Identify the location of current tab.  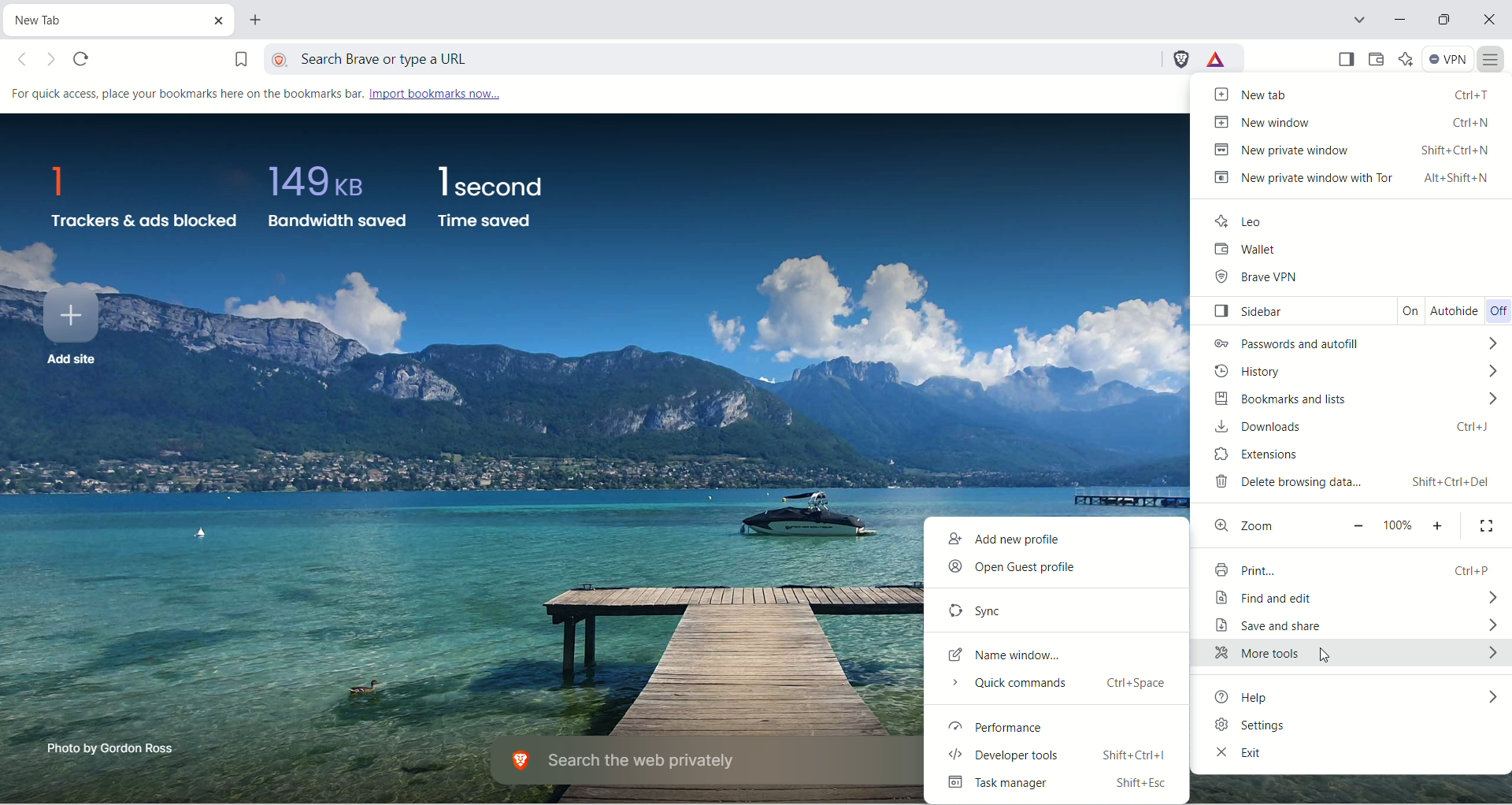
(98, 20).